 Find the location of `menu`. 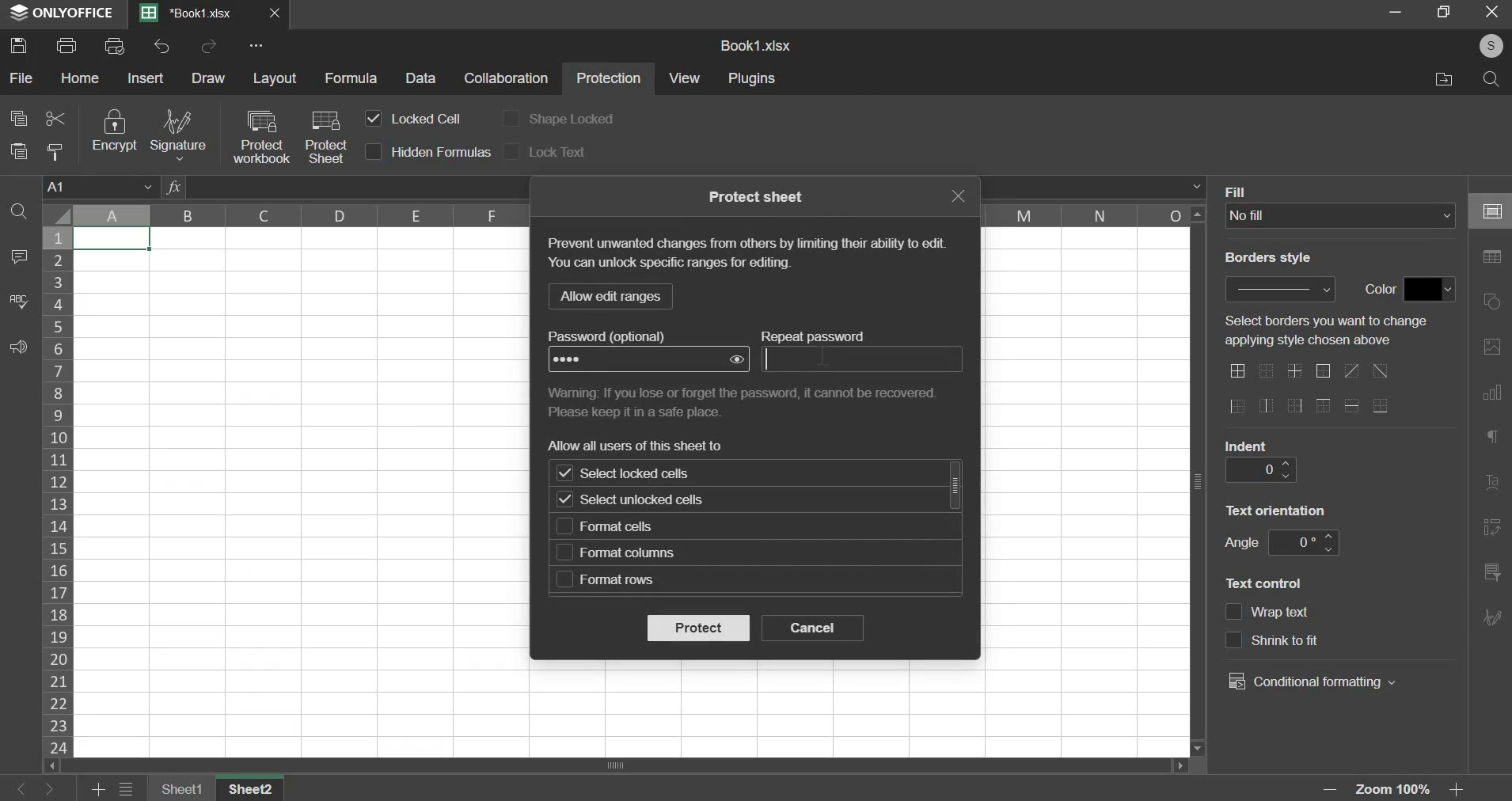

menu is located at coordinates (127, 790).